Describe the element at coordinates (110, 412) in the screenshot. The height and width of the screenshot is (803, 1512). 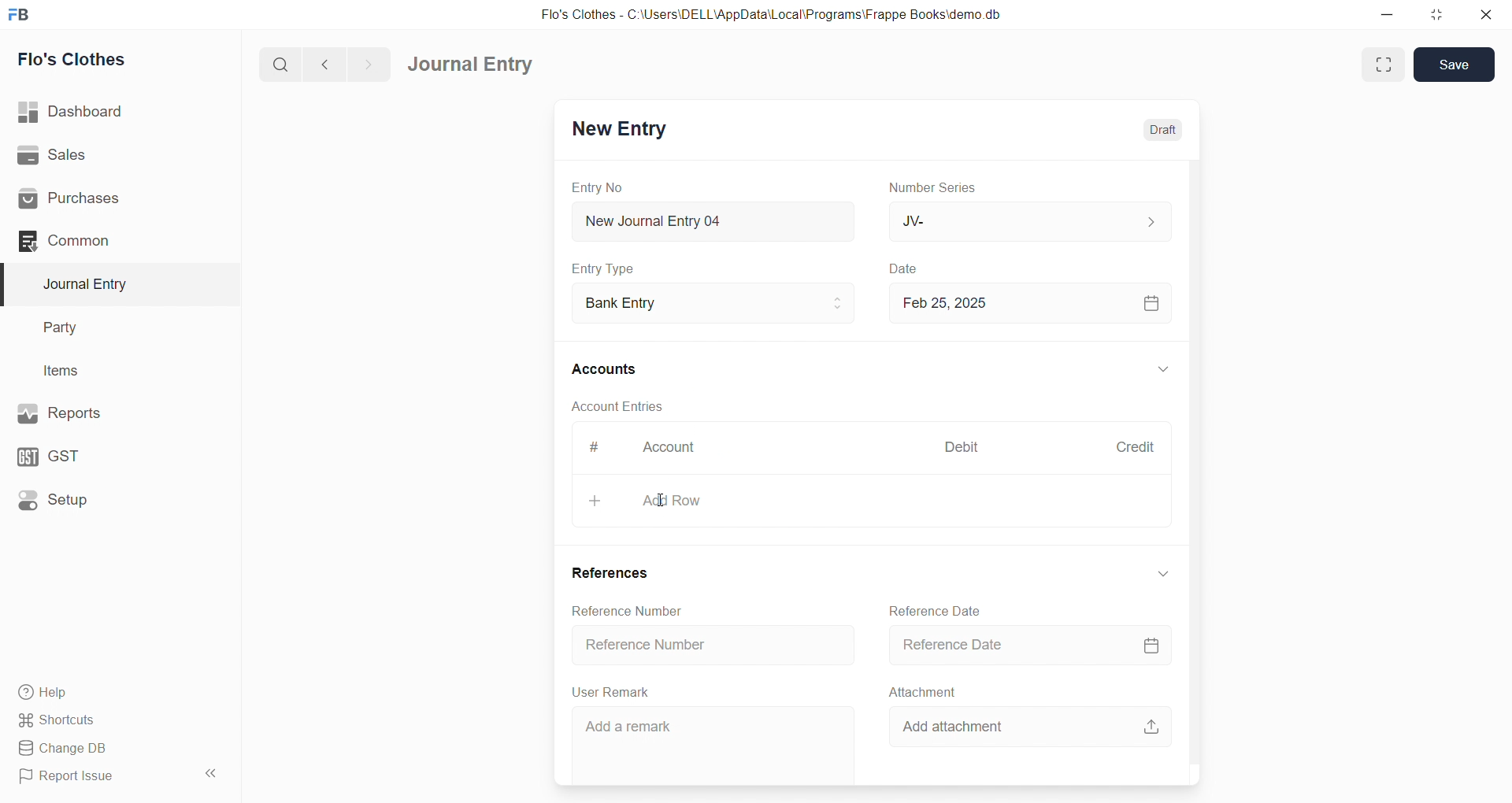
I see `Reports` at that location.